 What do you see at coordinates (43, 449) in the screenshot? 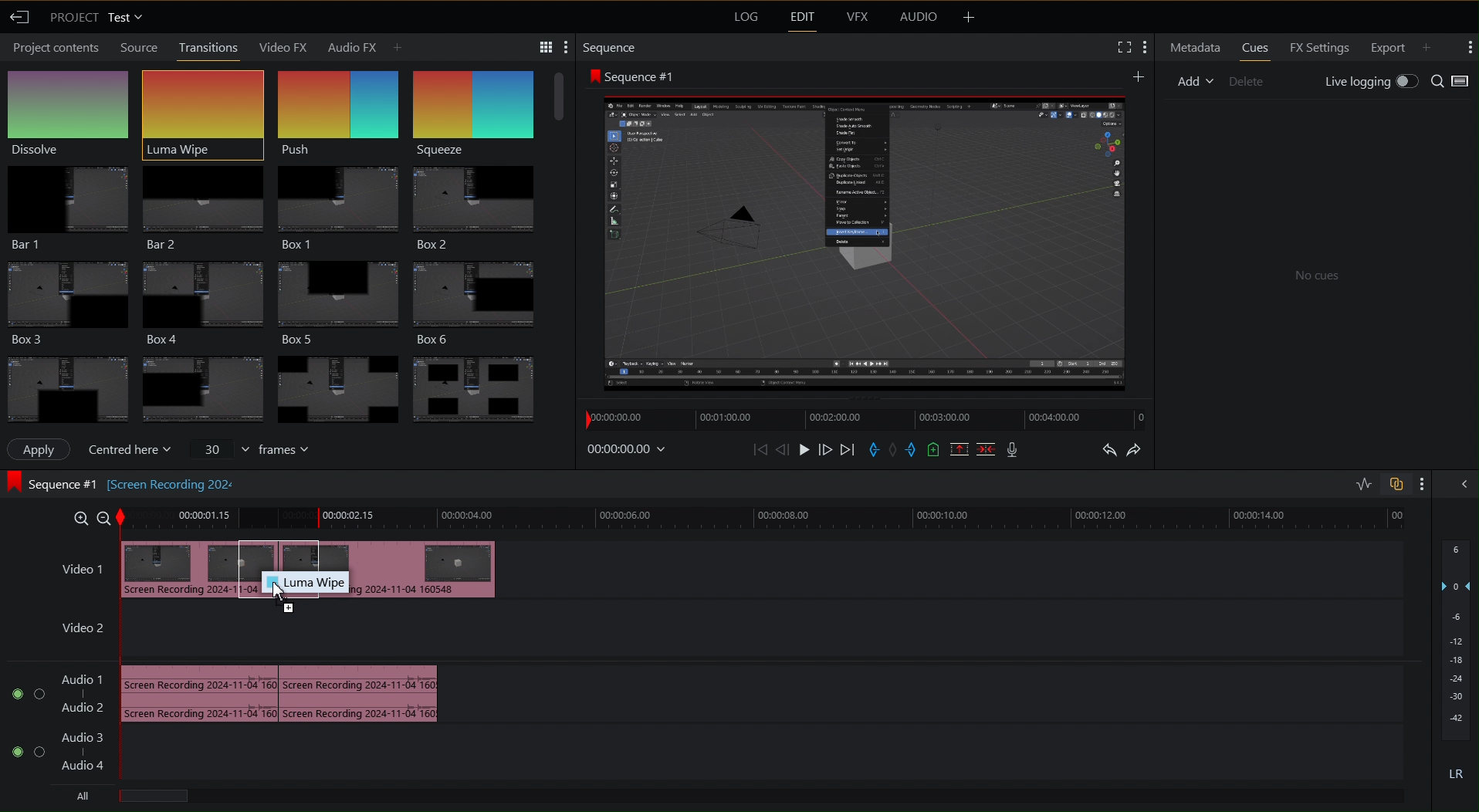
I see `Apply` at bounding box center [43, 449].